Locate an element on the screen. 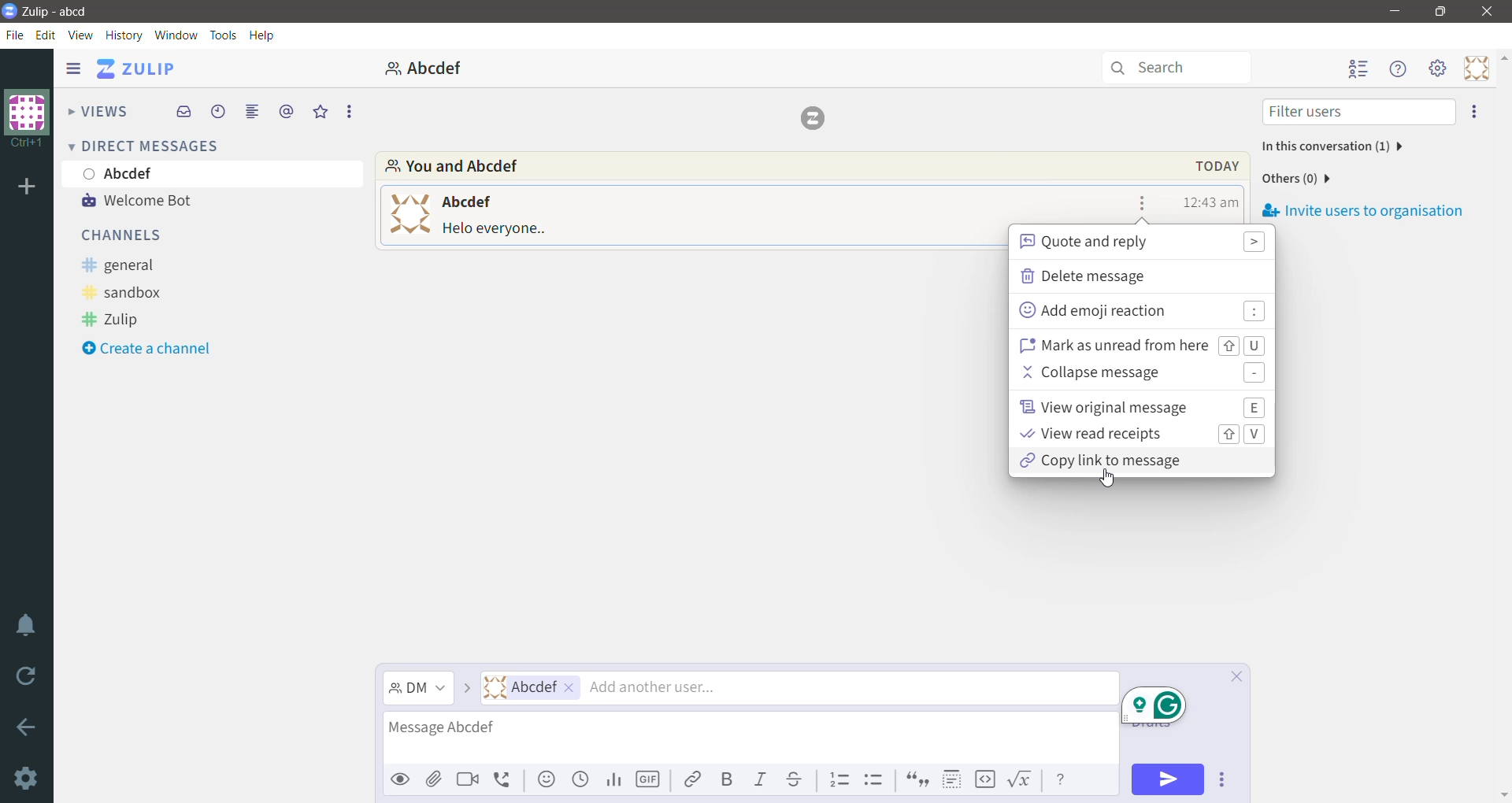 The height and width of the screenshot is (803, 1512). Bold is located at coordinates (728, 779).